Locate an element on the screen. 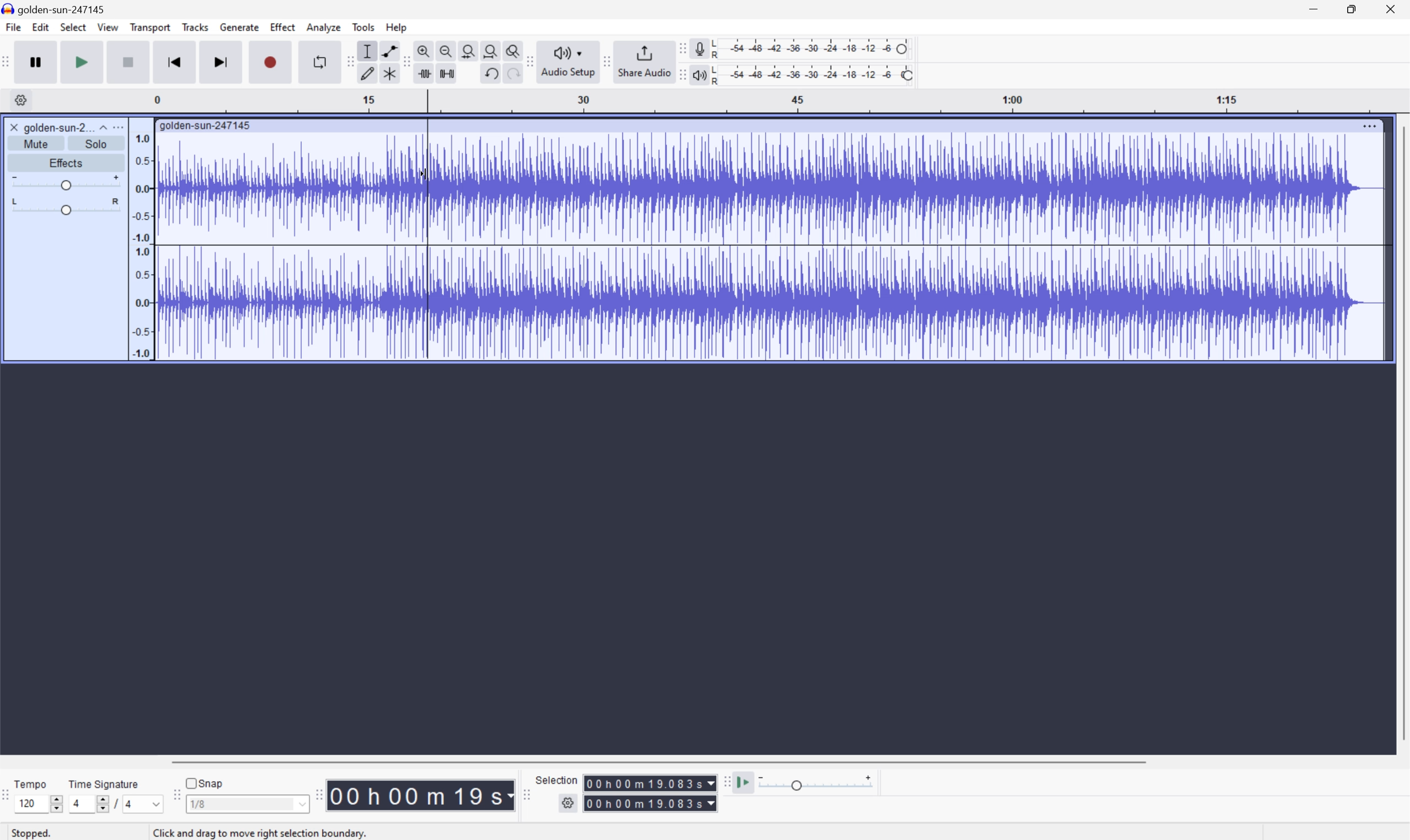  Envelope tool is located at coordinates (387, 50).